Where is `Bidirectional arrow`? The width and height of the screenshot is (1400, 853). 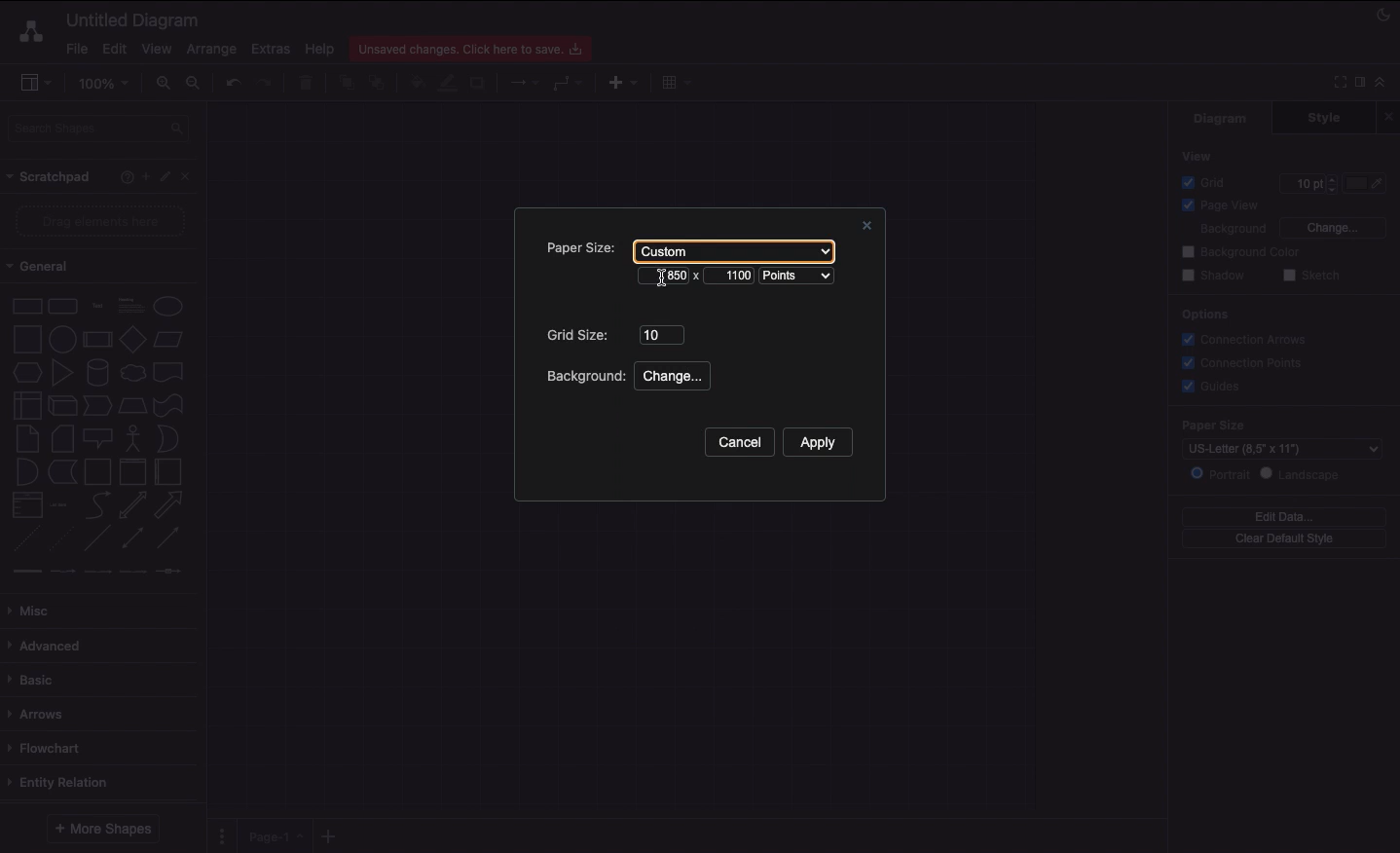
Bidirectional arrow is located at coordinates (132, 504).